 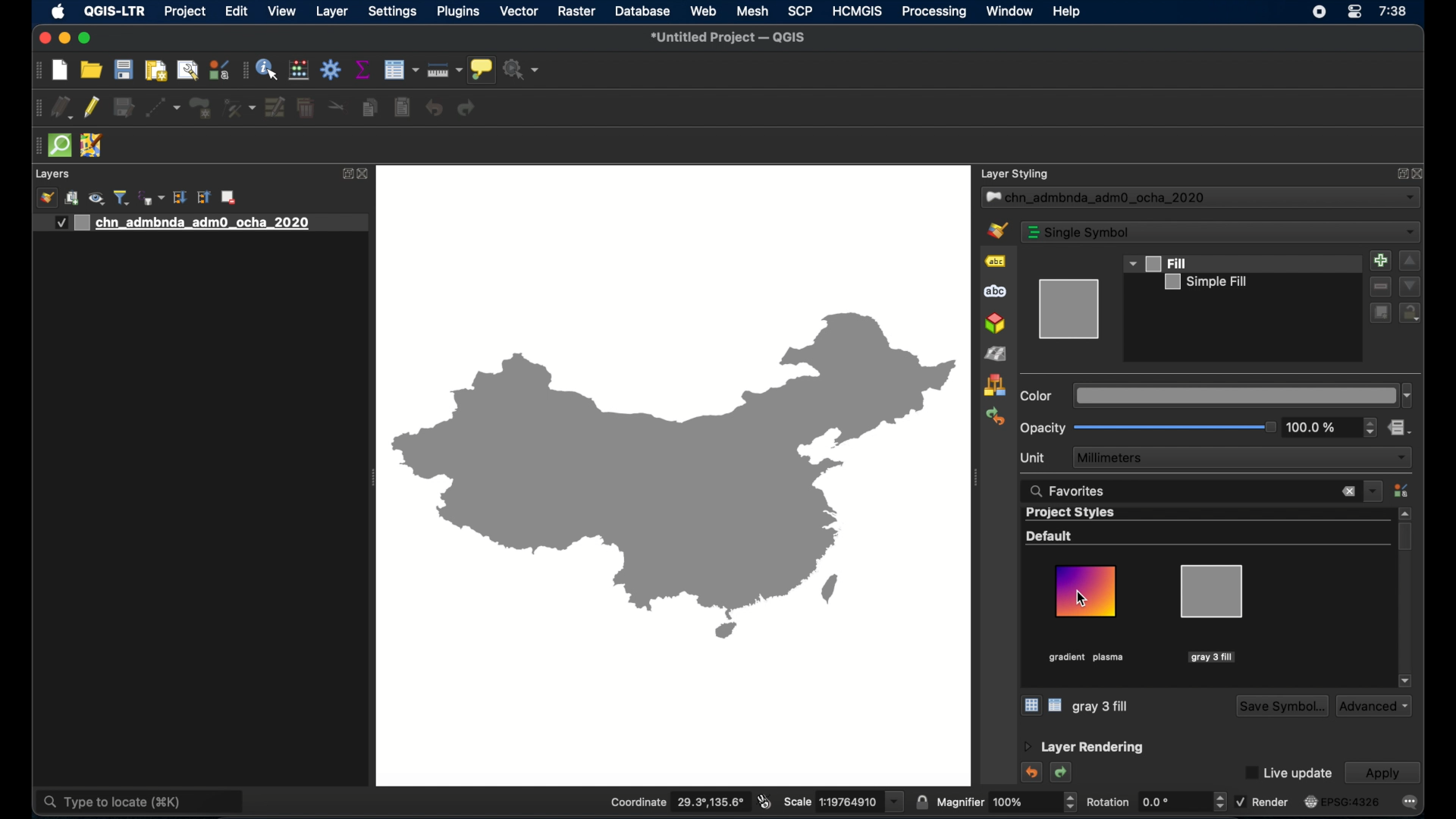 I want to click on toolbox, so click(x=331, y=70).